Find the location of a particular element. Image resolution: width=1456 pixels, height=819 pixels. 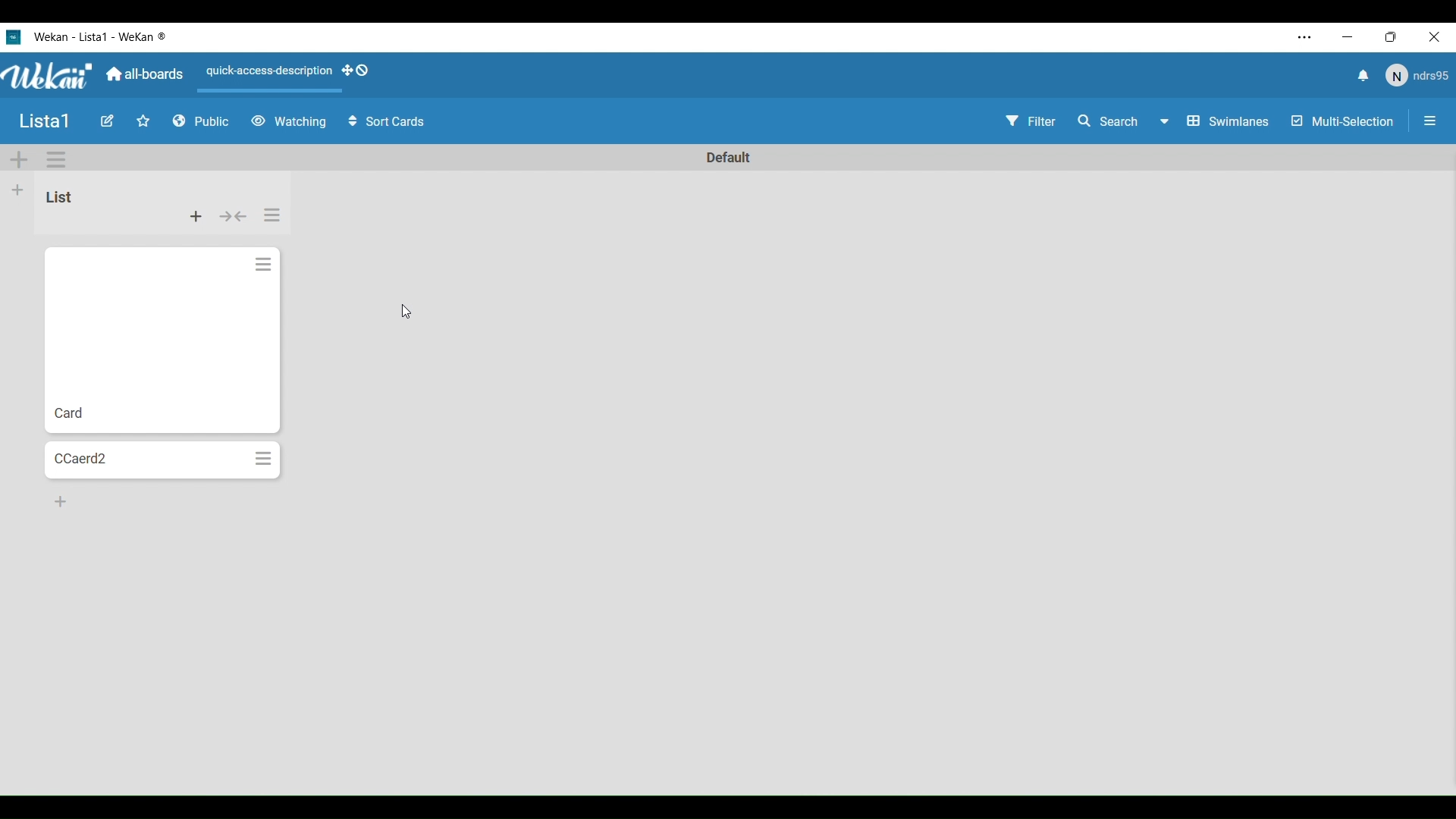

Public is located at coordinates (202, 122).